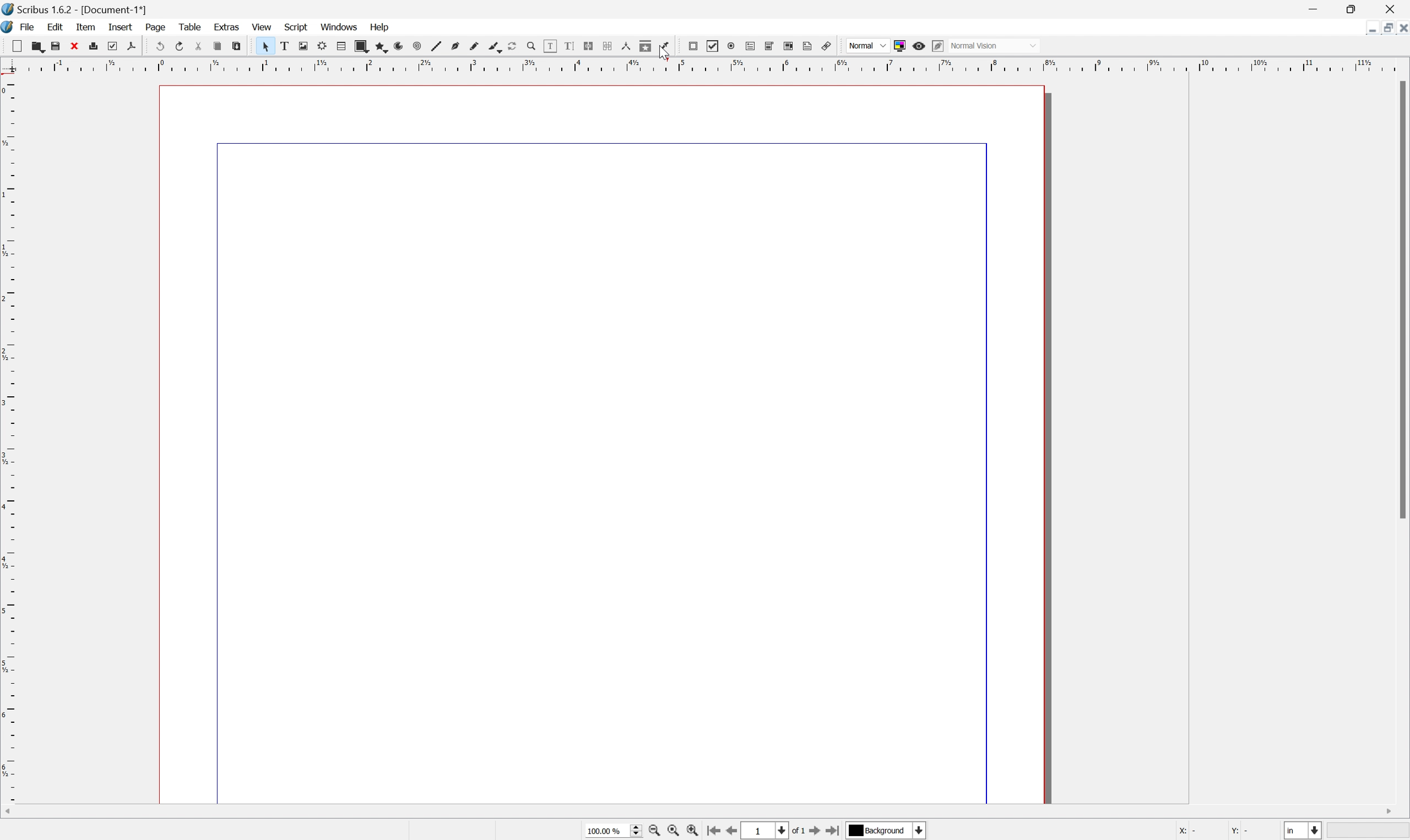 This screenshot has height=840, width=1410. Describe the element at coordinates (12, 43) in the screenshot. I see `cut` at that location.